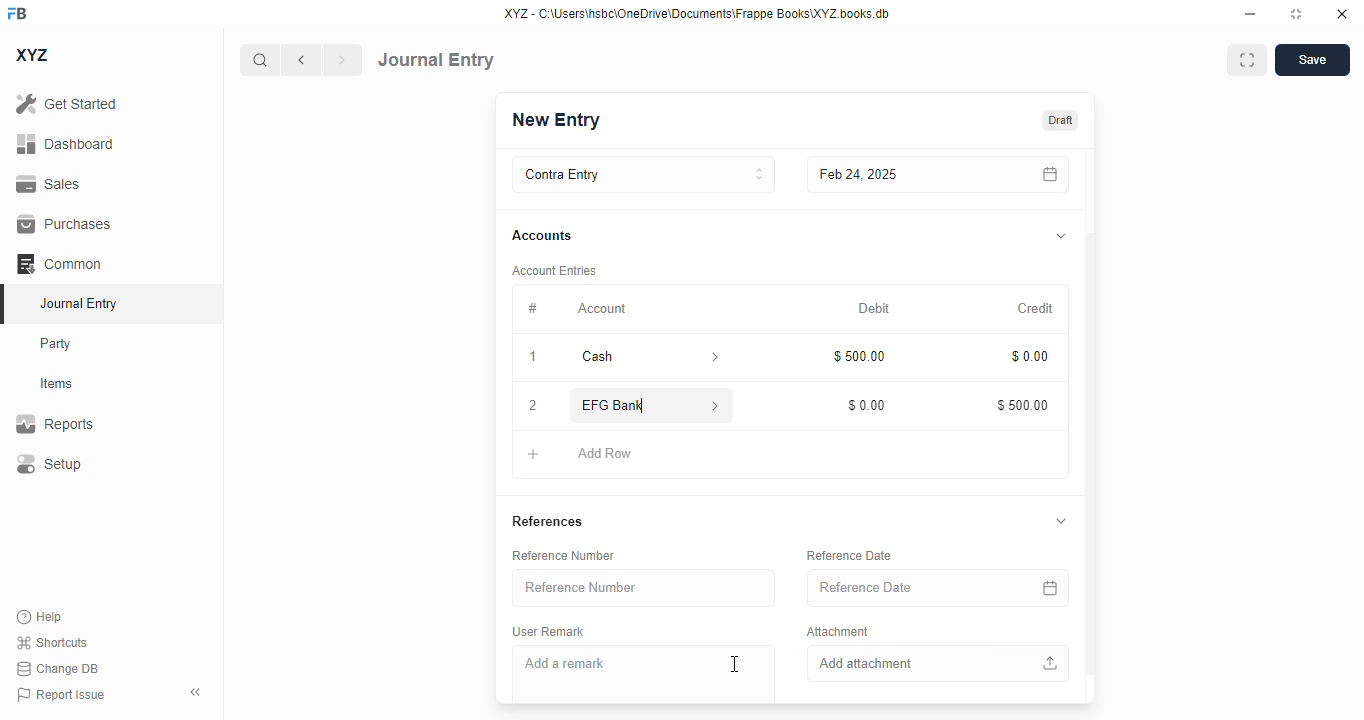 Image resolution: width=1364 pixels, height=720 pixels. Describe the element at coordinates (603, 454) in the screenshot. I see `add row` at that location.